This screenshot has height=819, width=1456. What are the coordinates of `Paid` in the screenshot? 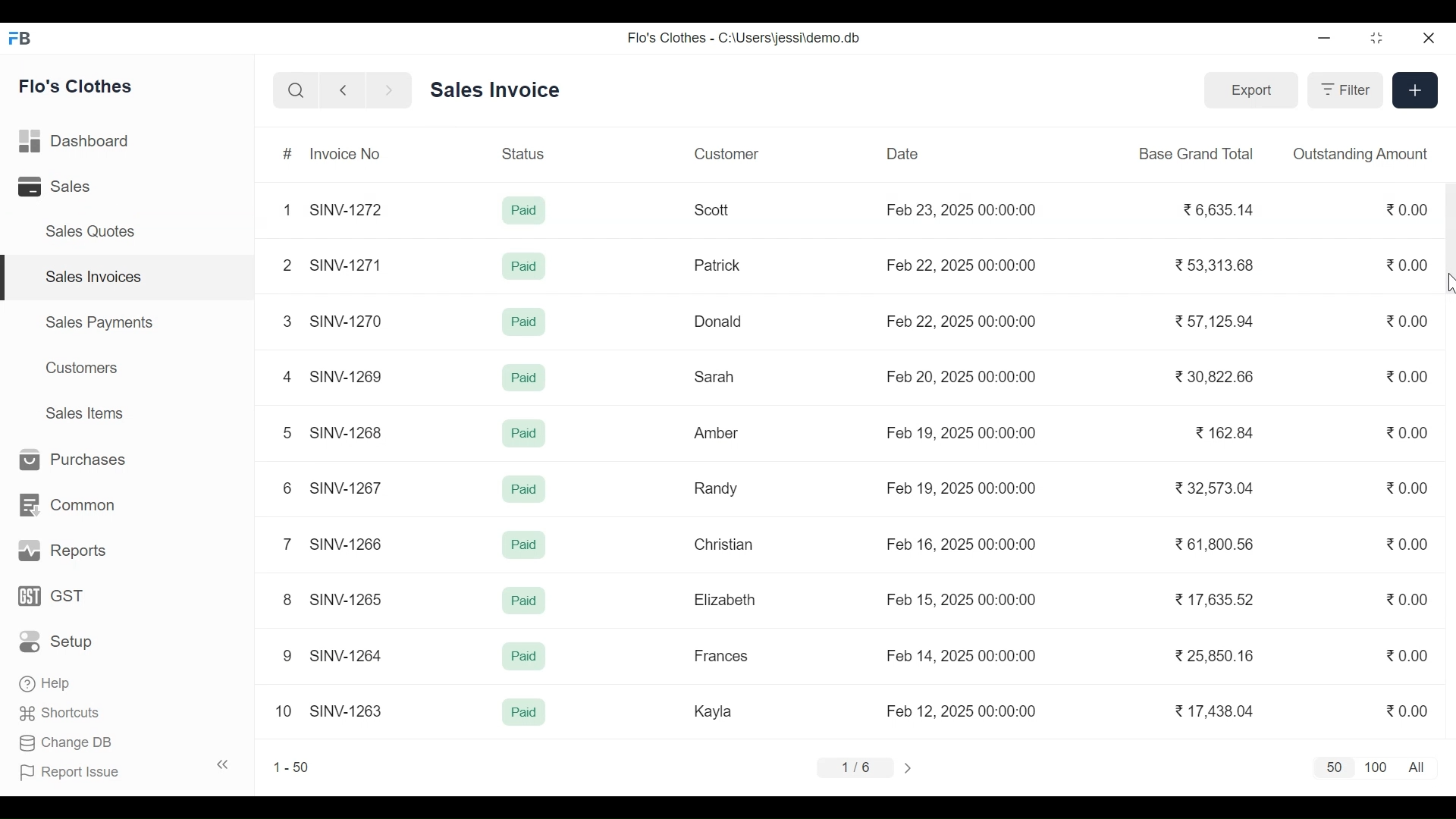 It's located at (526, 602).